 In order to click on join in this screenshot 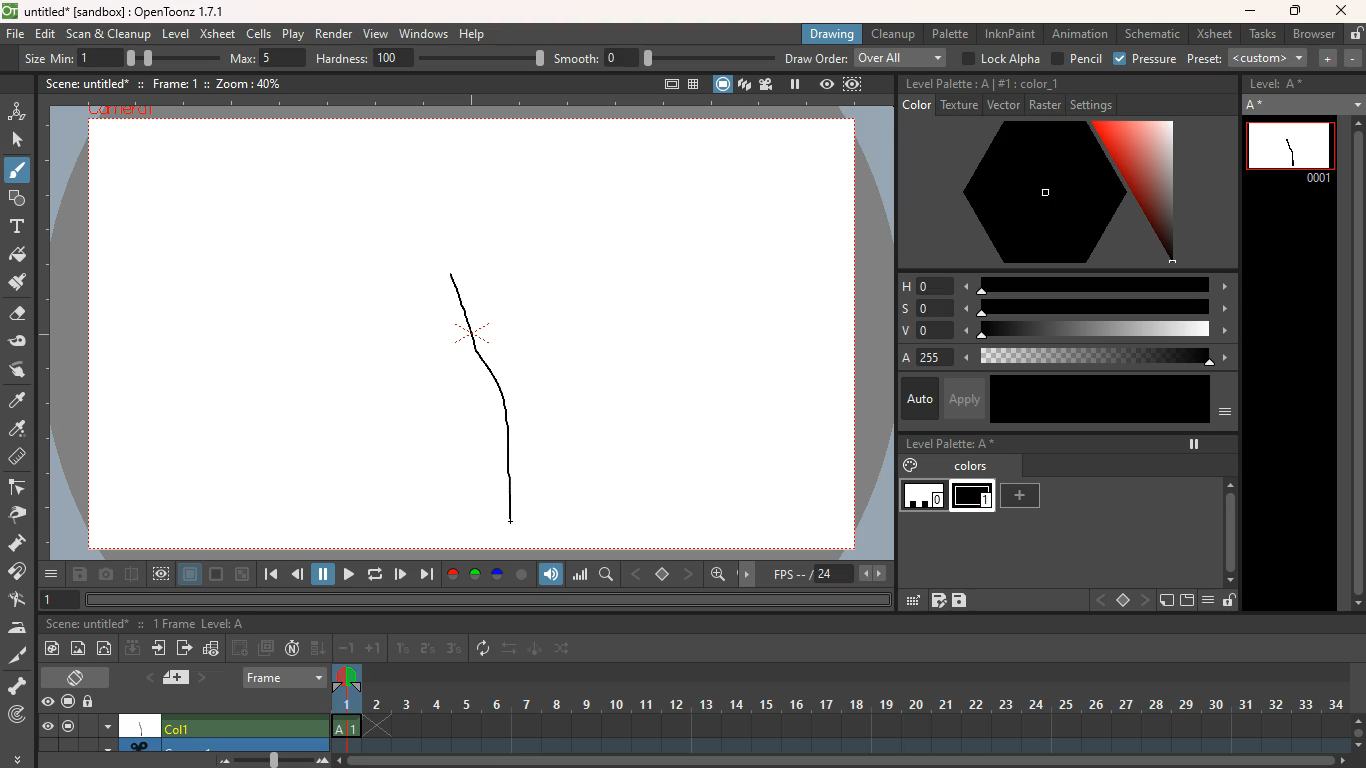, I will do `click(20, 573)`.